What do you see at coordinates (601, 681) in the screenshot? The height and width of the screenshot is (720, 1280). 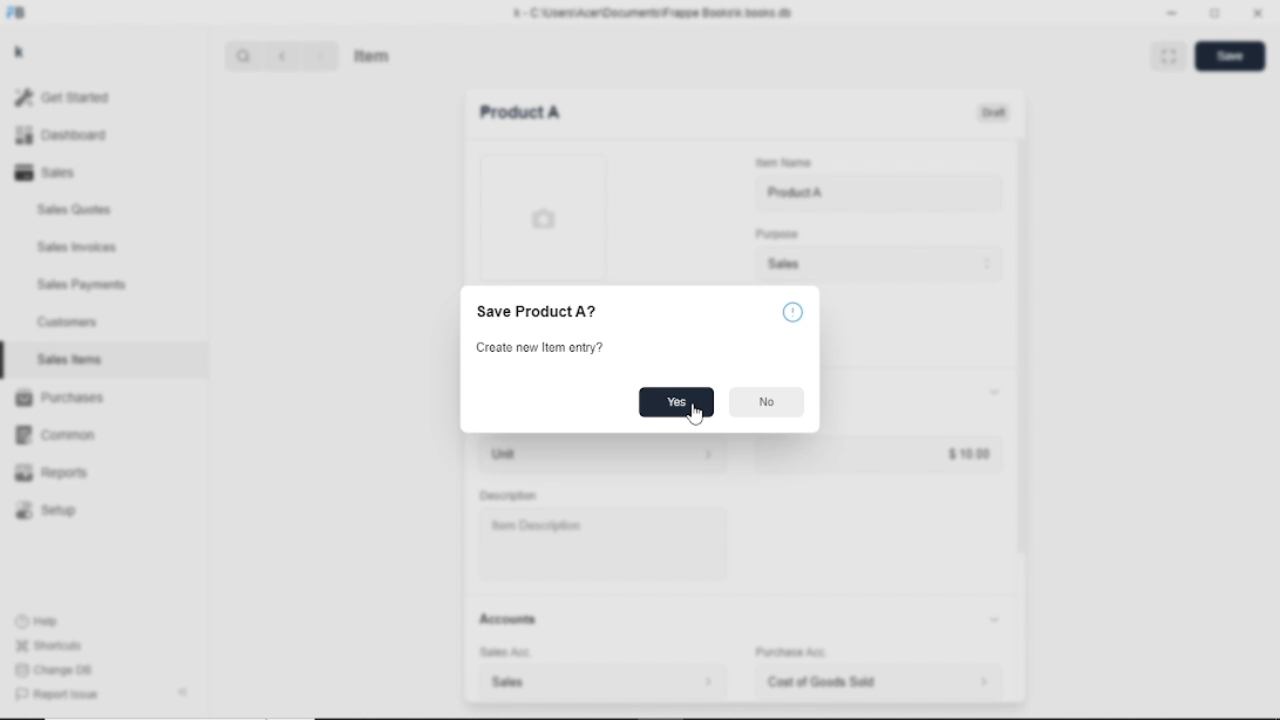 I see `Sales` at bounding box center [601, 681].